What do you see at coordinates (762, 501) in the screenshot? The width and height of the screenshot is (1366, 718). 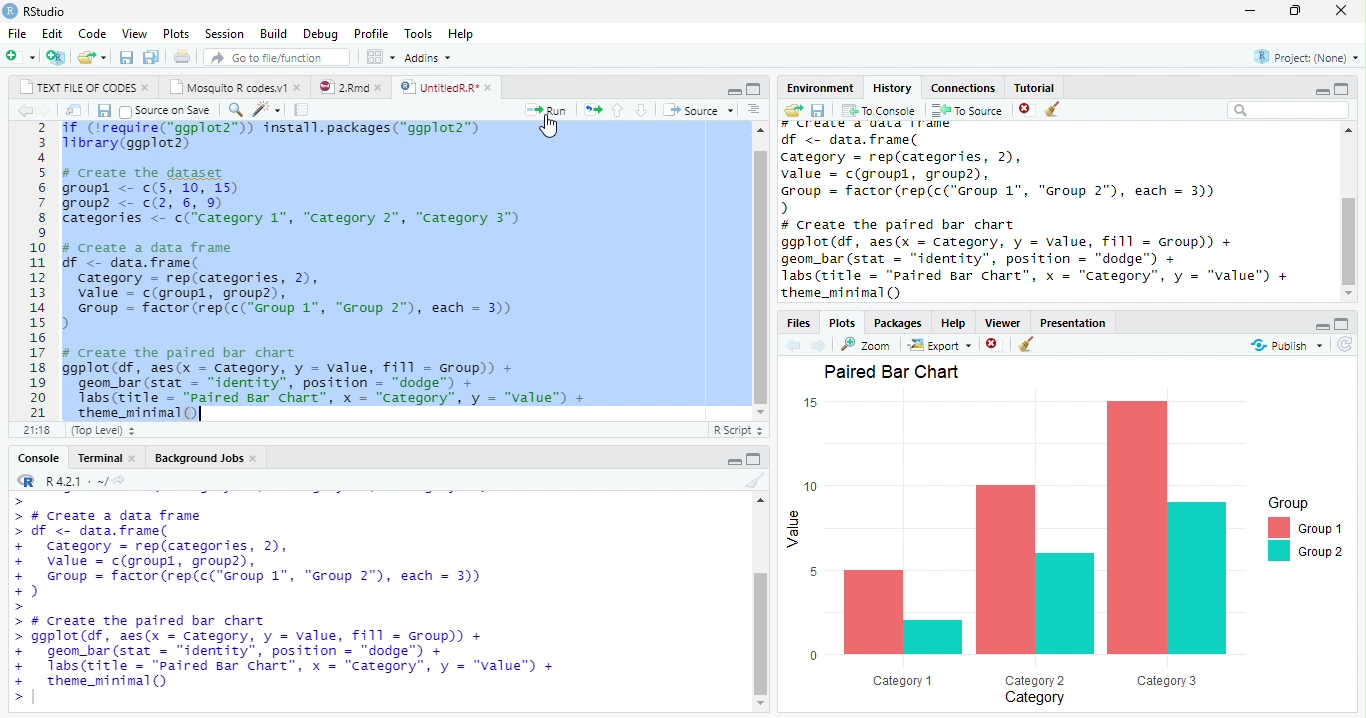 I see `scroll up` at bounding box center [762, 501].